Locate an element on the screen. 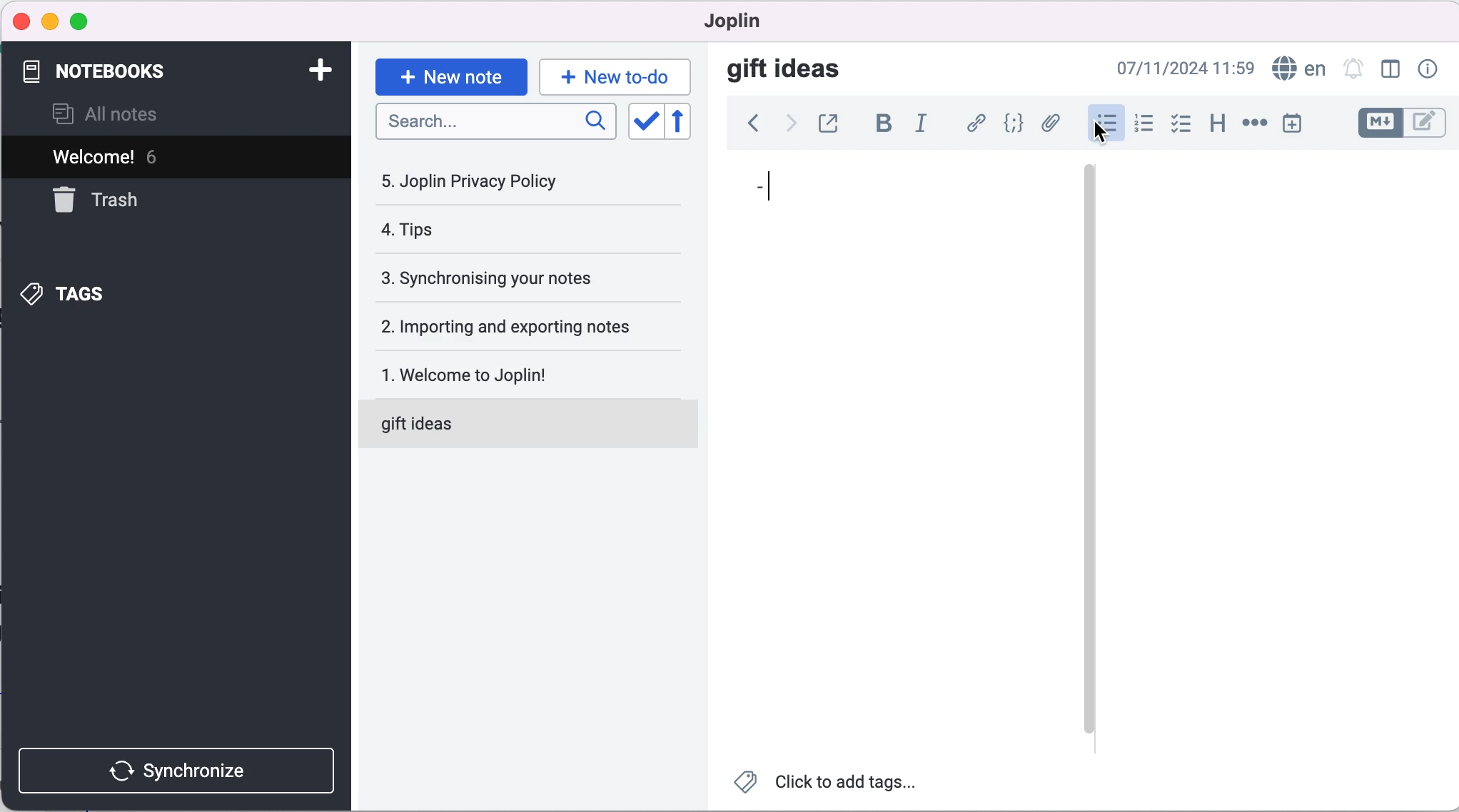 The height and width of the screenshot is (812, 1459). horizontal rule is located at coordinates (1254, 125).